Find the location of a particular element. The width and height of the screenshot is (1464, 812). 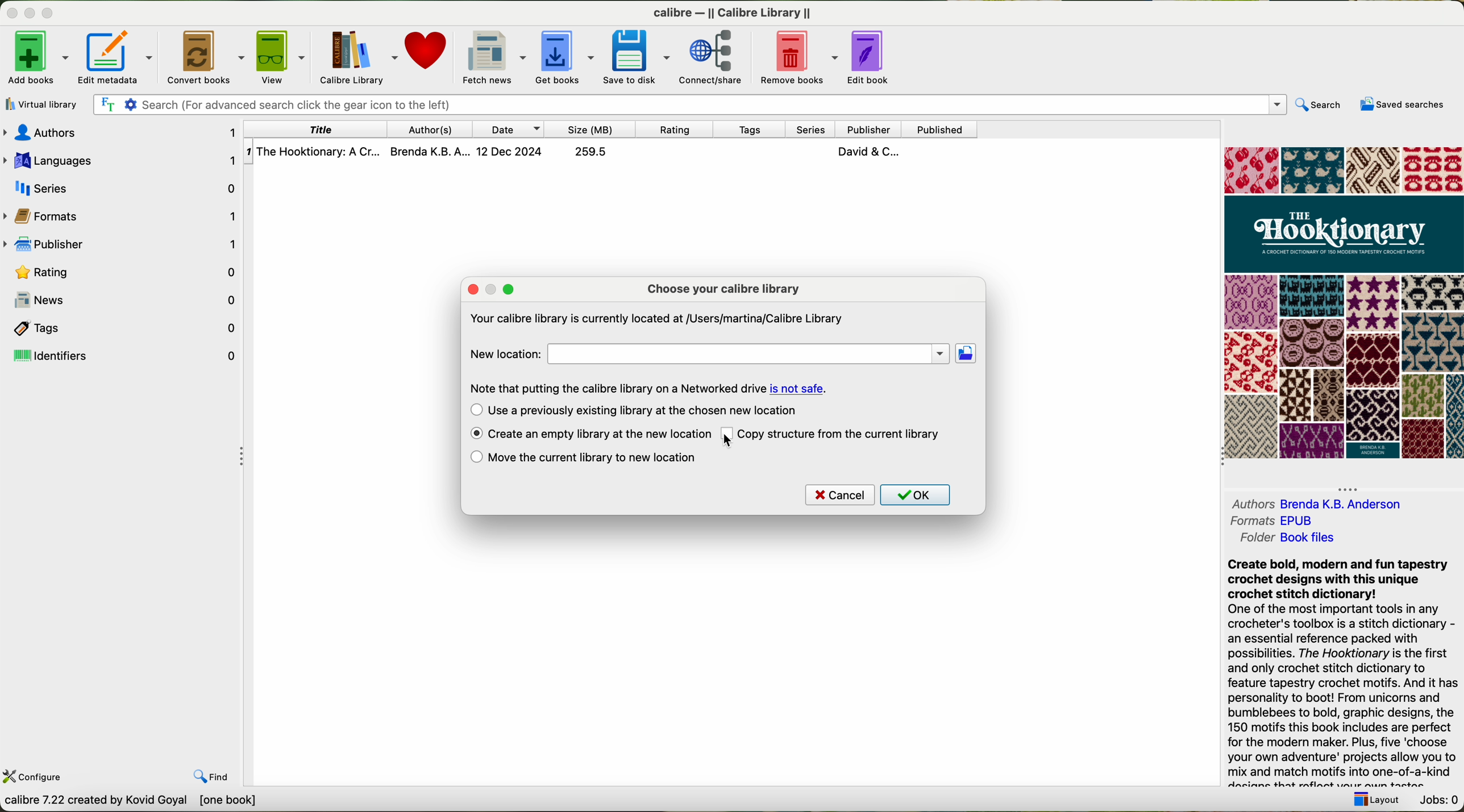

new location is located at coordinates (708, 352).